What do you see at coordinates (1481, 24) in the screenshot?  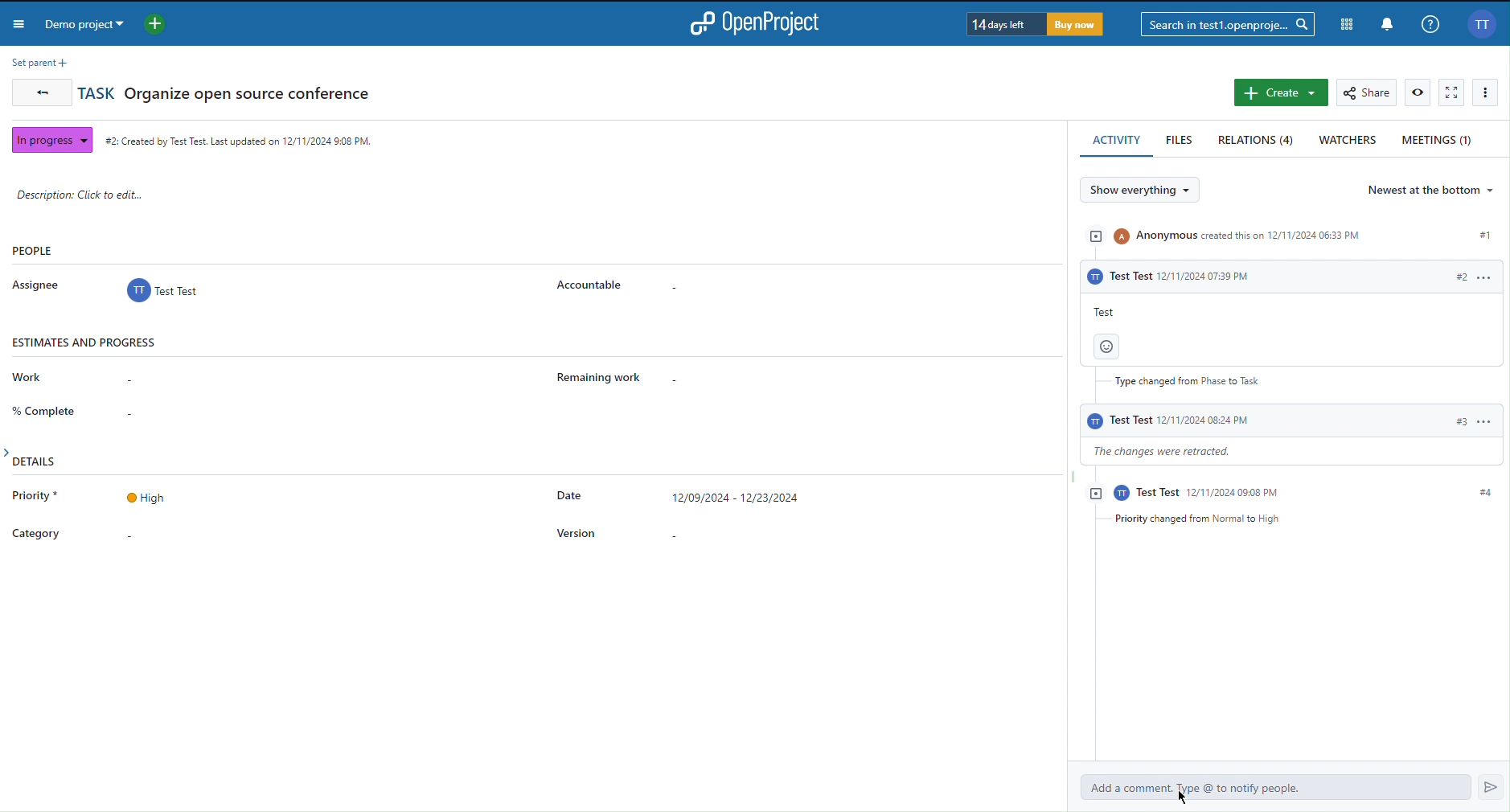 I see `Account` at bounding box center [1481, 24].